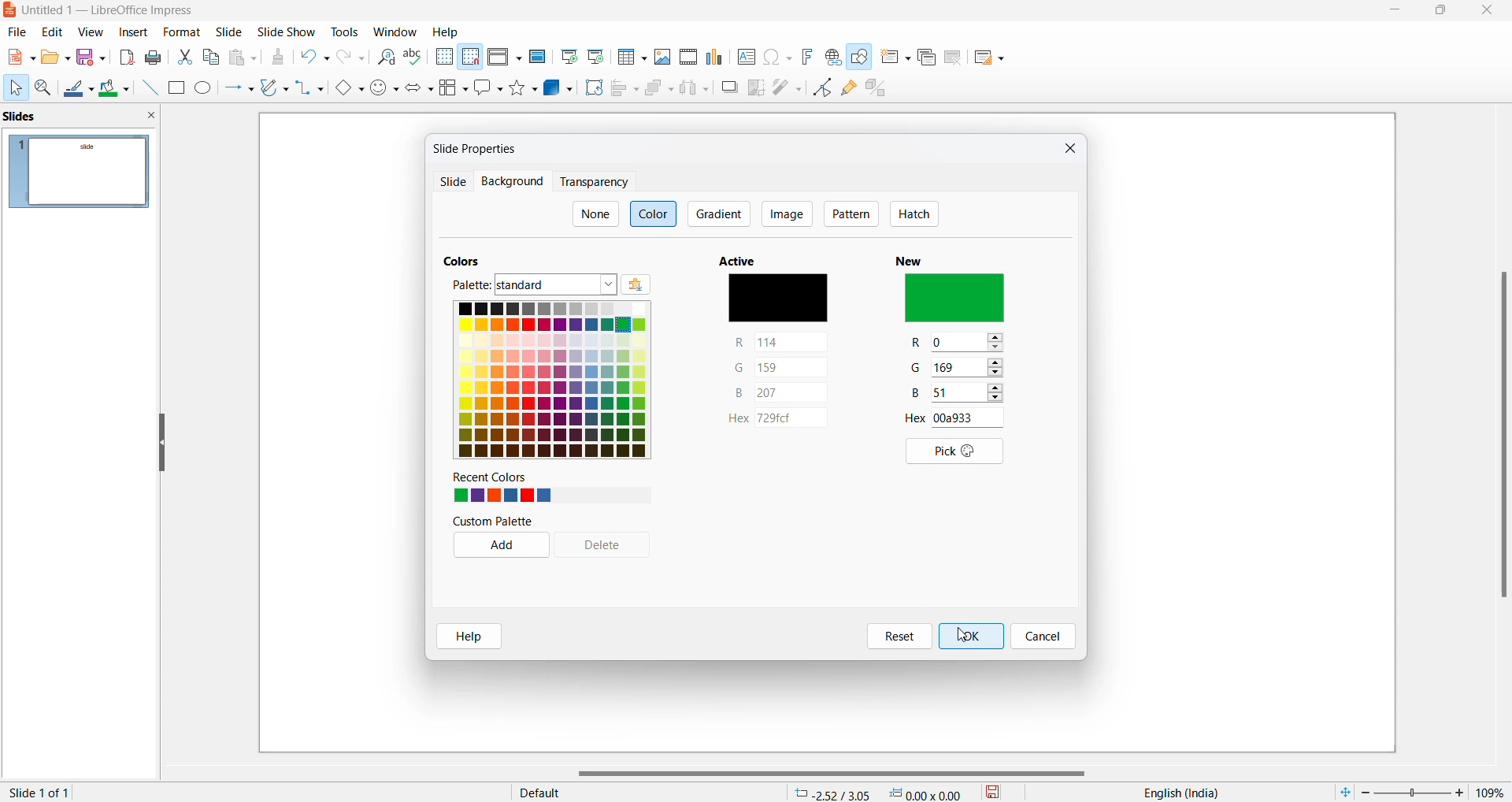 This screenshot has width=1512, height=802. I want to click on insert text, so click(745, 56).